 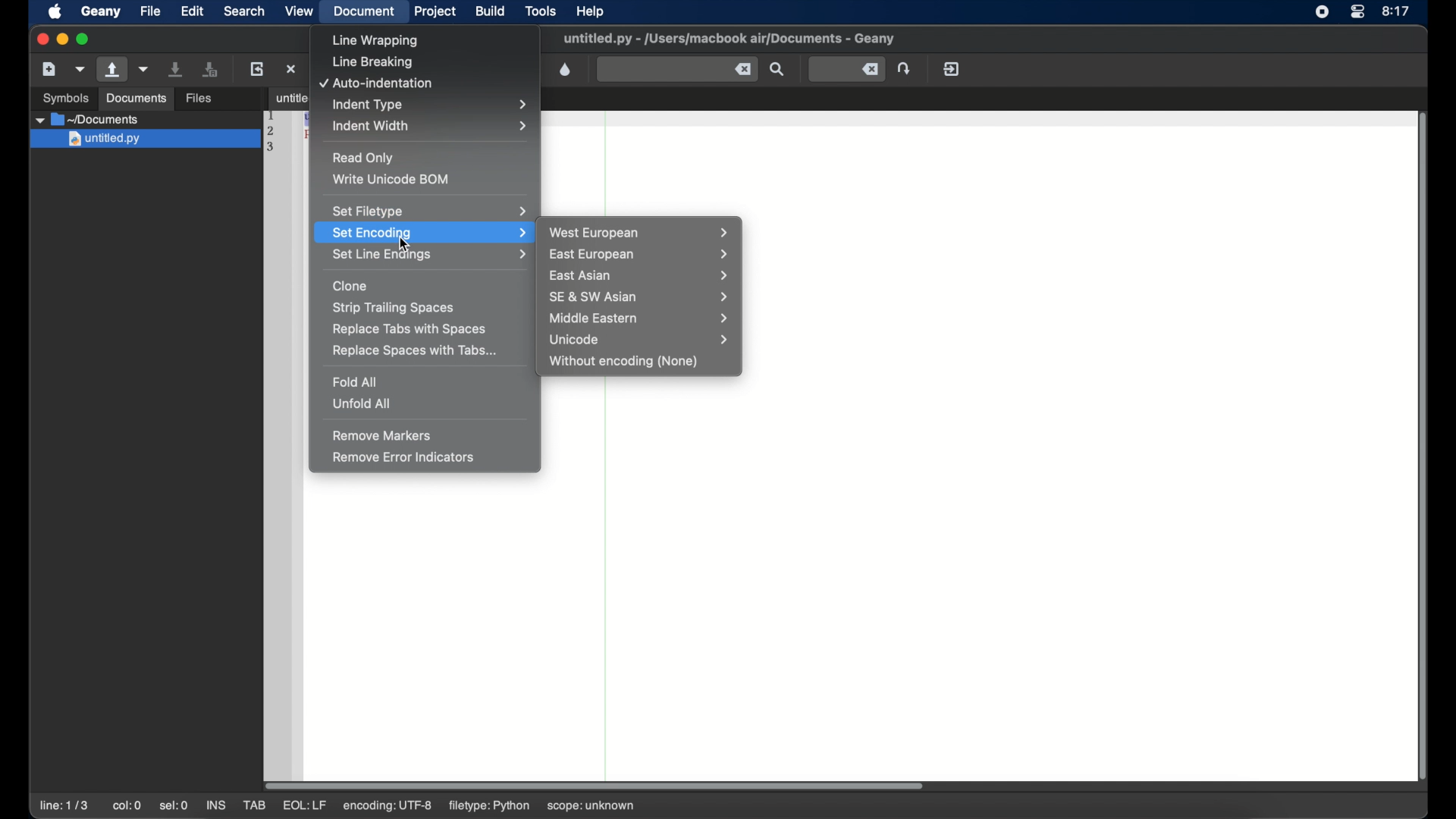 I want to click on without encoding, so click(x=625, y=362).